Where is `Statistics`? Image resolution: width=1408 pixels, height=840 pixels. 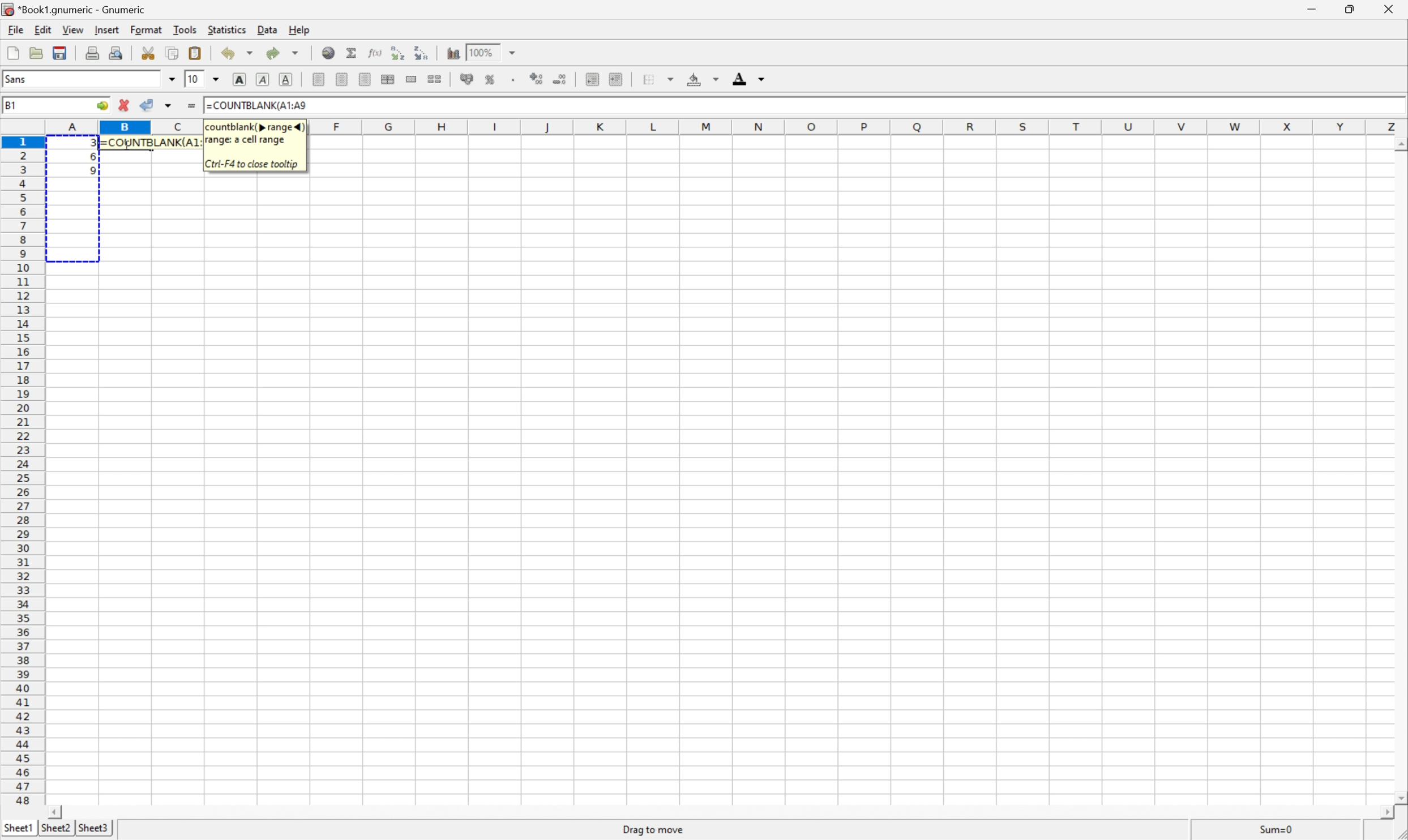 Statistics is located at coordinates (227, 29).